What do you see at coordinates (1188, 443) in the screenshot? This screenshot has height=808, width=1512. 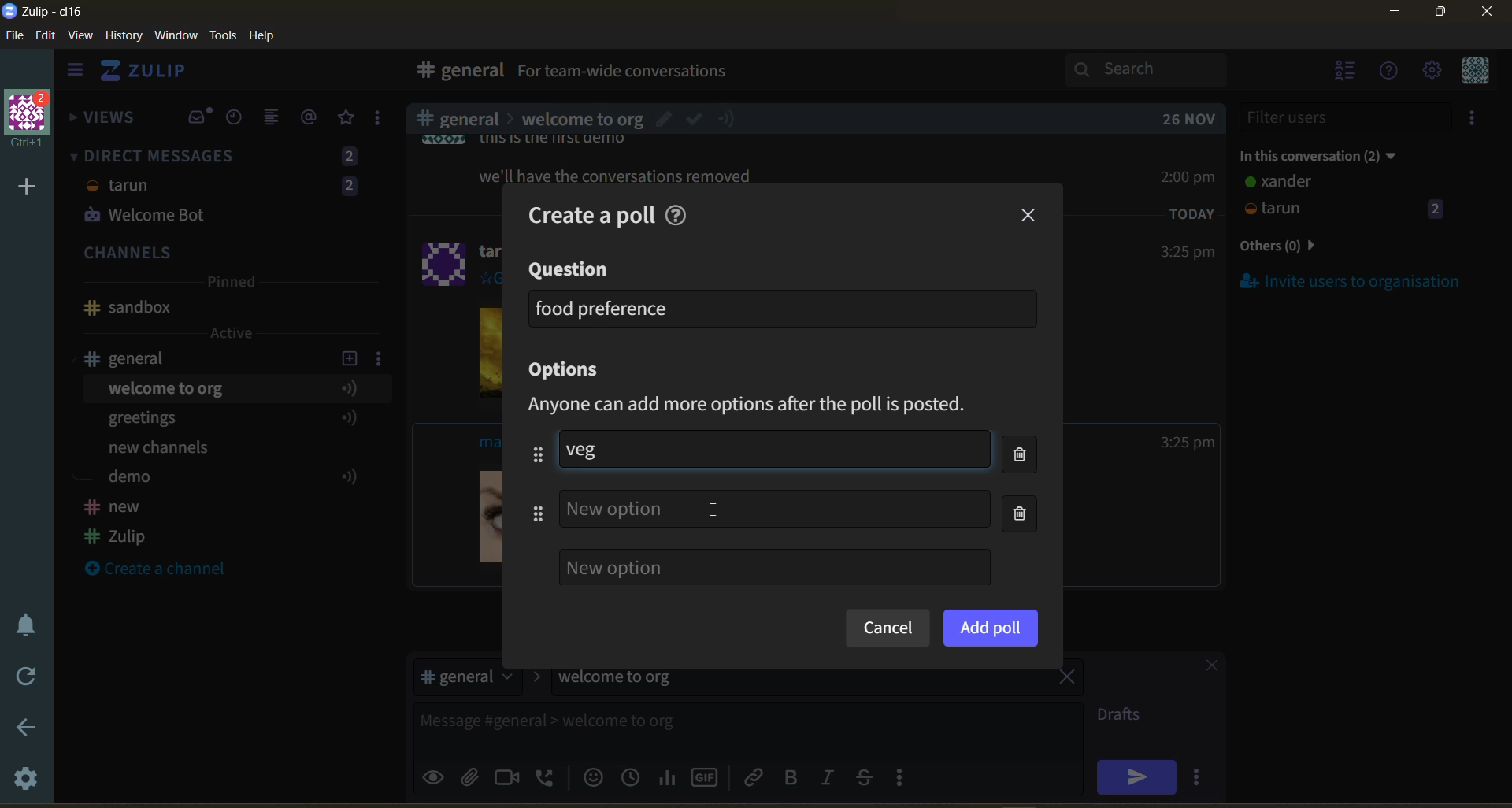 I see `3:25 pm` at bounding box center [1188, 443].